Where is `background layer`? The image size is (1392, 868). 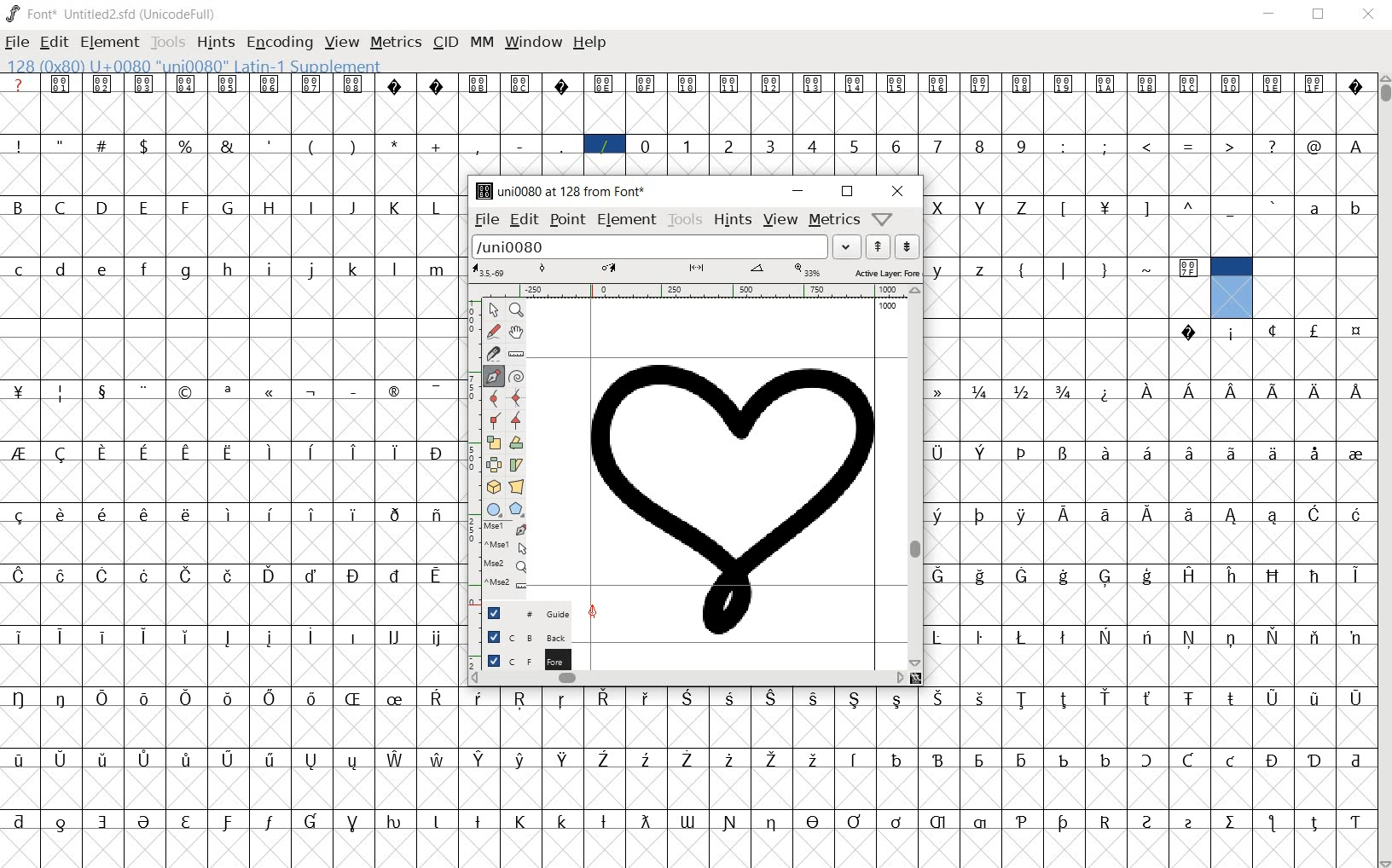
background layer is located at coordinates (519, 636).